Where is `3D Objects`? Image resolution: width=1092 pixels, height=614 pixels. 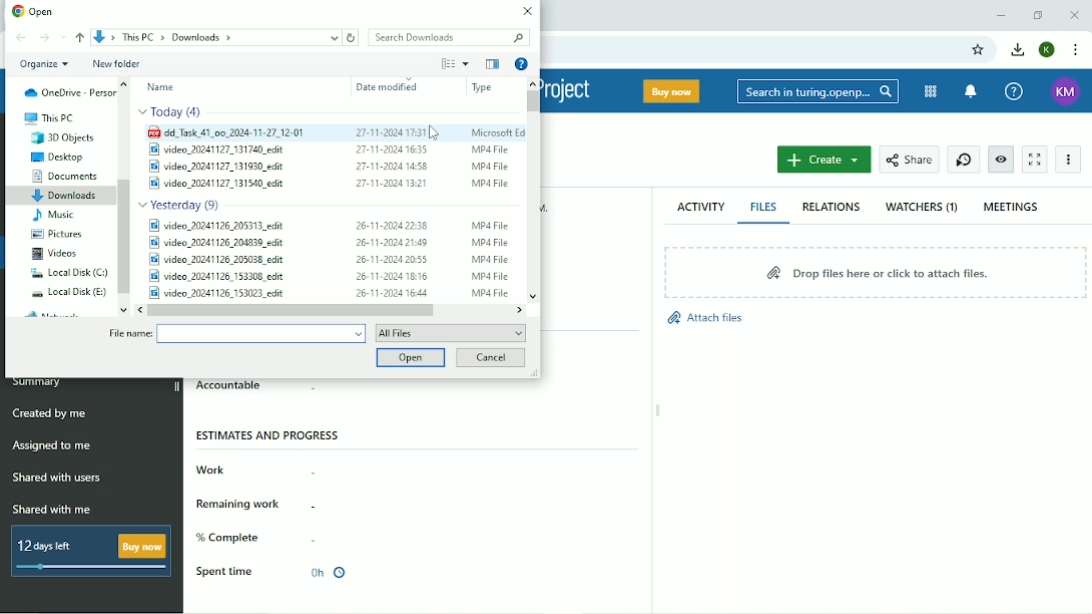 3D Objects is located at coordinates (64, 138).